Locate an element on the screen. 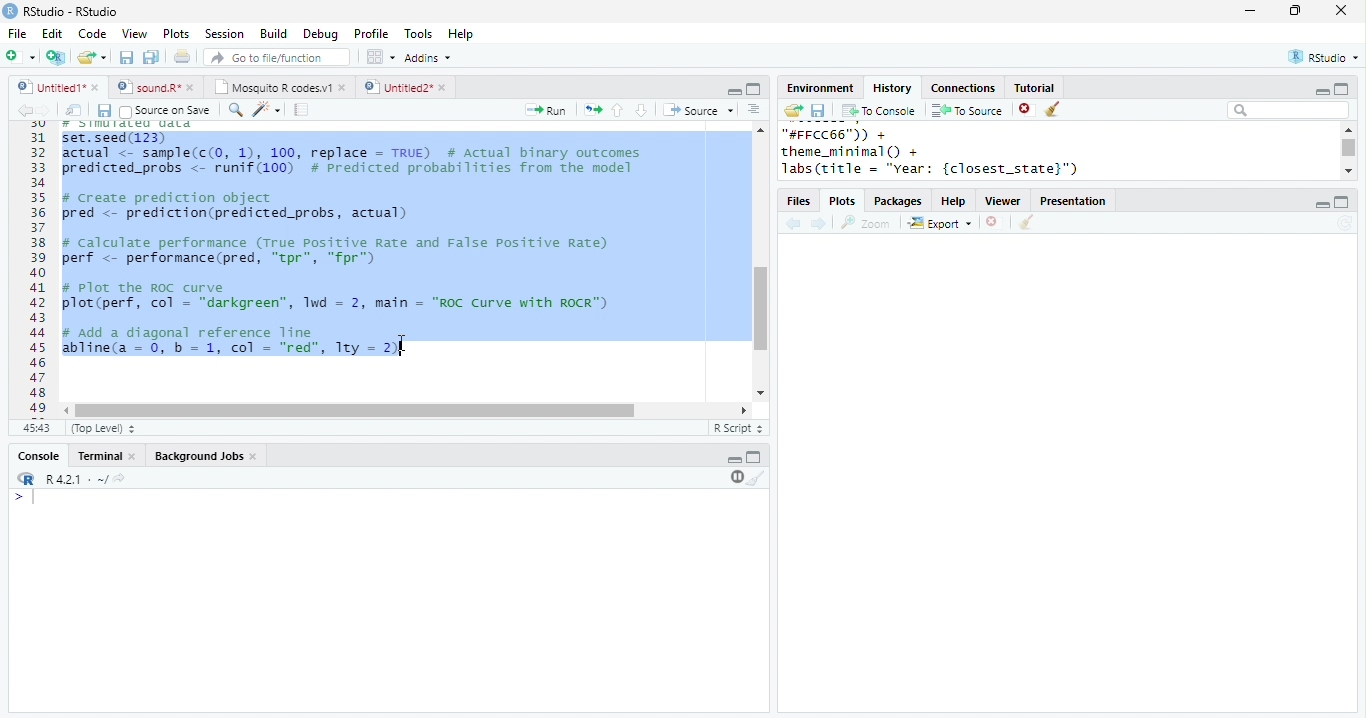 Image resolution: width=1366 pixels, height=718 pixels. scroll bar is located at coordinates (761, 309).